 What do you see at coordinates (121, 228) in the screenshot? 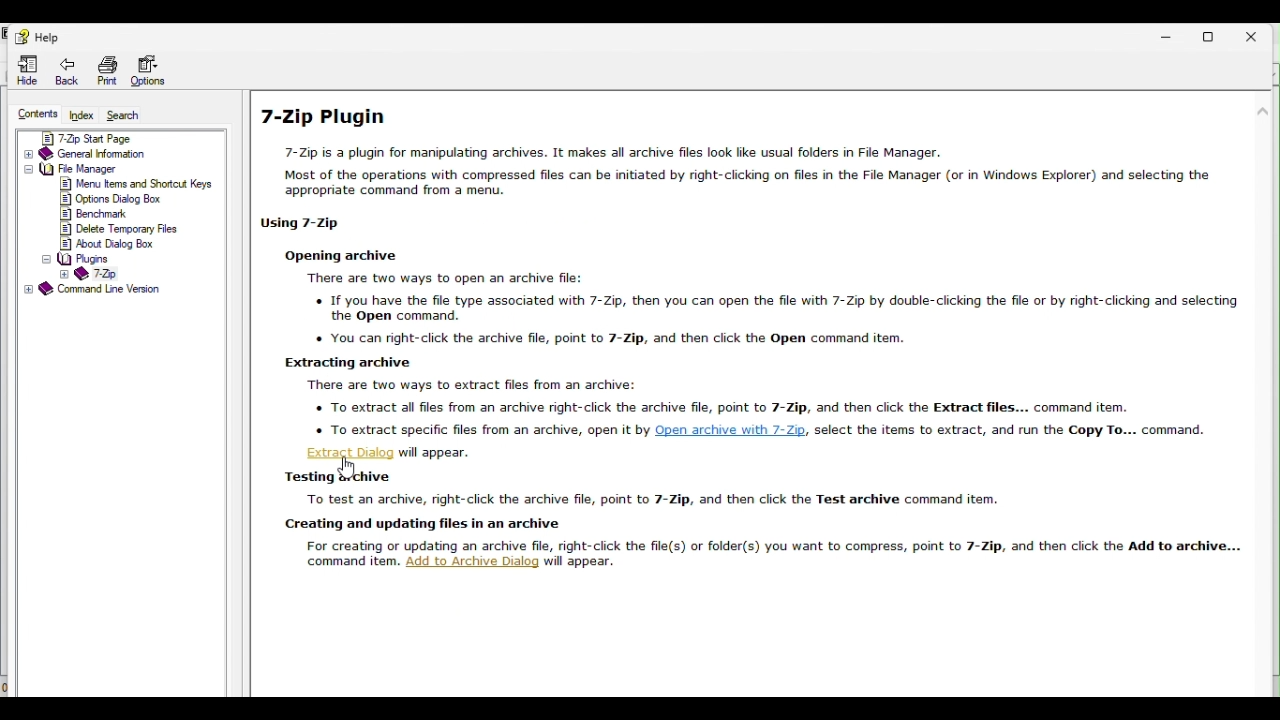
I see `delete` at bounding box center [121, 228].